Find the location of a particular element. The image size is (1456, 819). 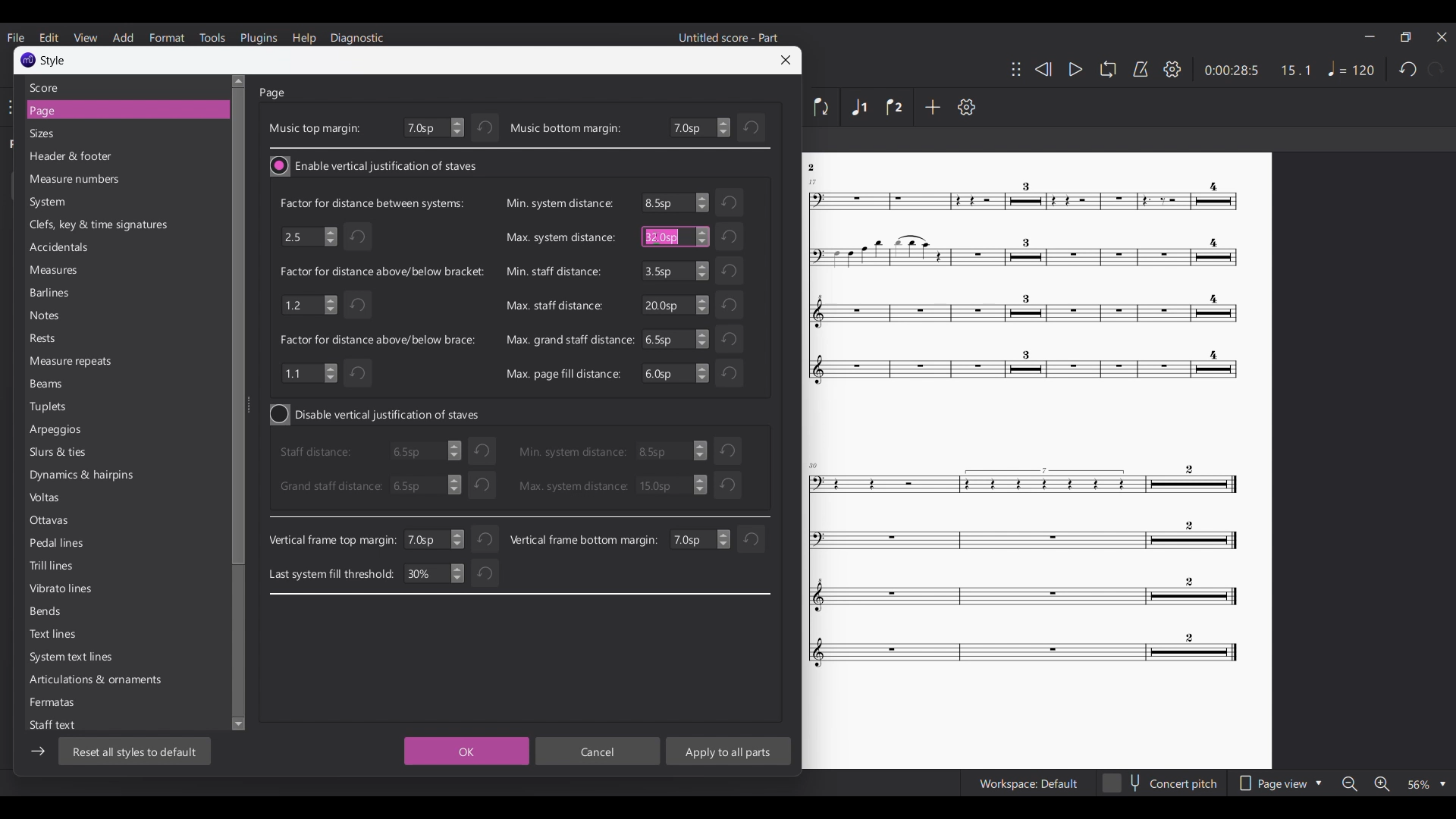

Music top margin is located at coordinates (314, 128).